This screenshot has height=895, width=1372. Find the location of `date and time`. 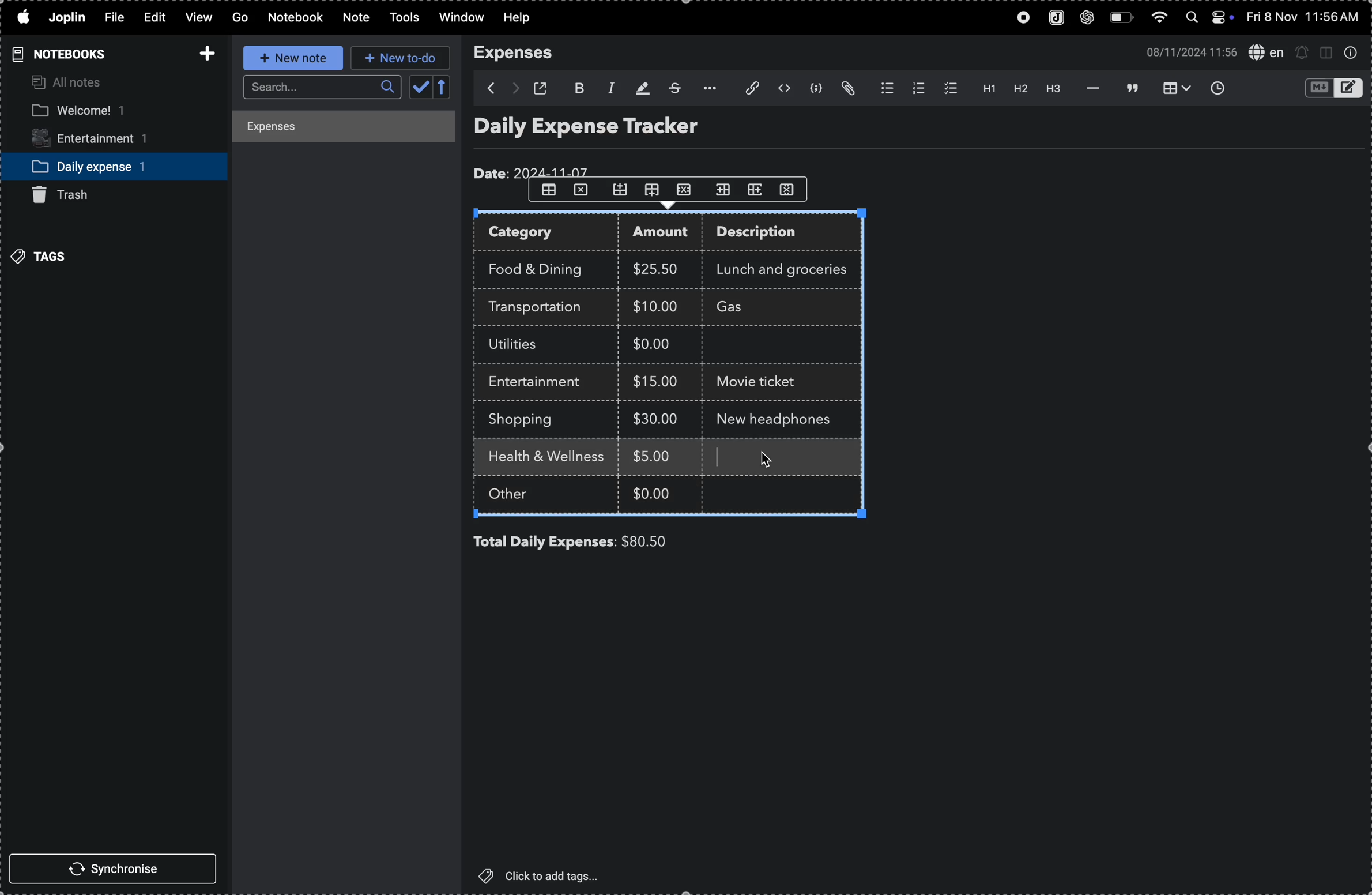

date and time is located at coordinates (1187, 51).